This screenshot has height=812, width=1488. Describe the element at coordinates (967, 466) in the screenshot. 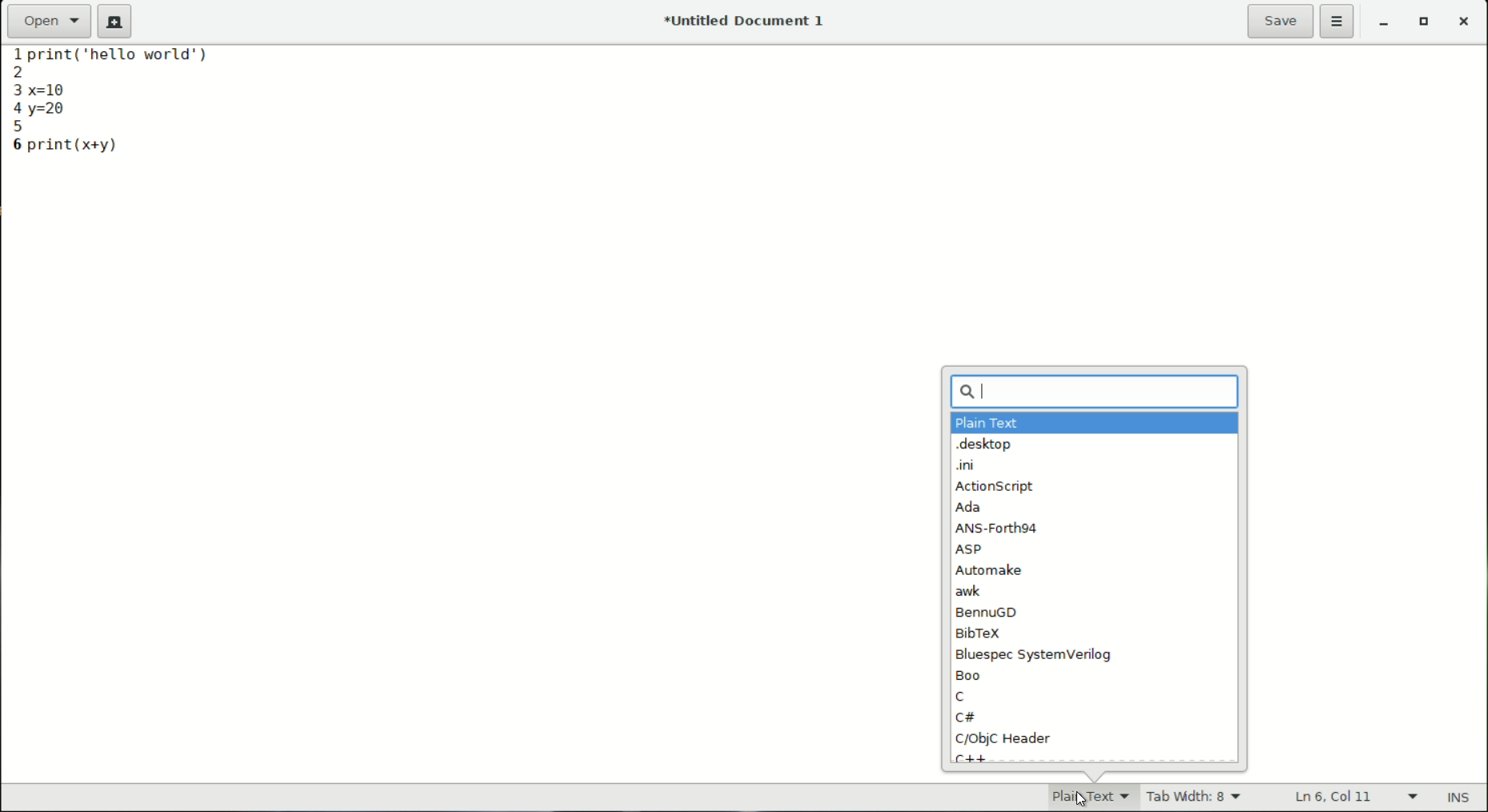

I see `.ini` at that location.